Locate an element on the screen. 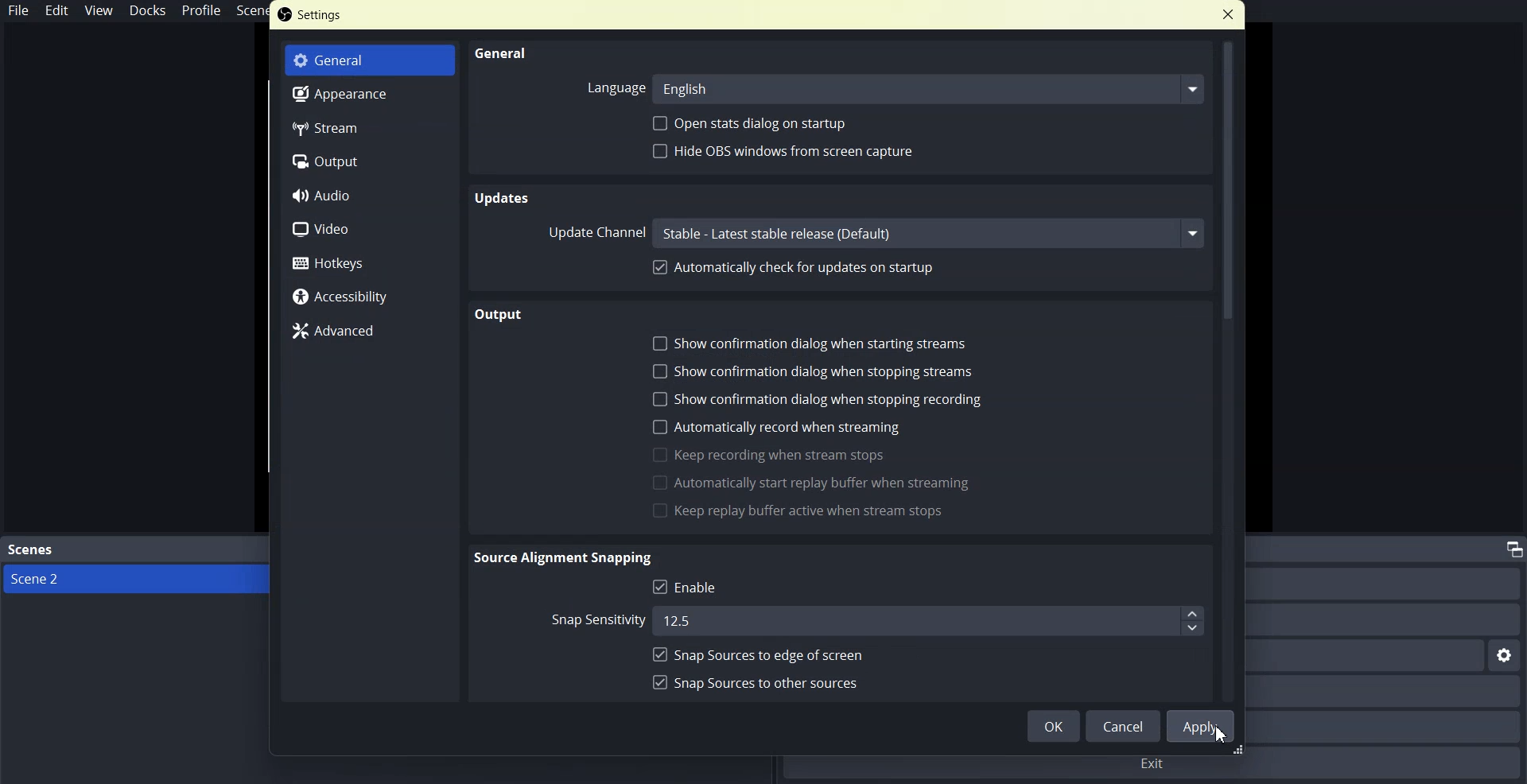 The width and height of the screenshot is (1527, 784). Snap the wordstream is located at coordinates (591, 621).